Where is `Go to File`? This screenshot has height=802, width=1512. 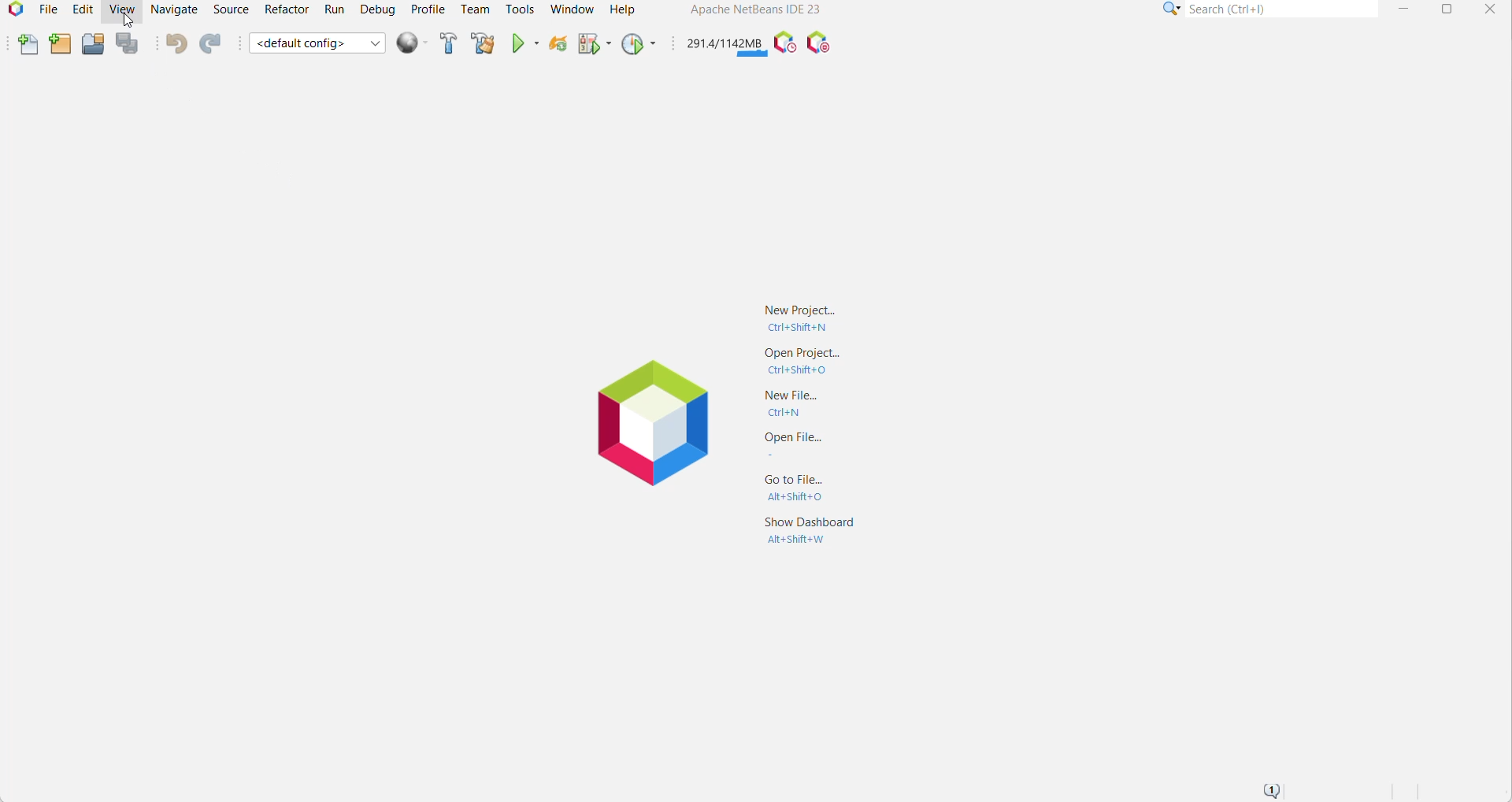 Go to File is located at coordinates (803, 486).